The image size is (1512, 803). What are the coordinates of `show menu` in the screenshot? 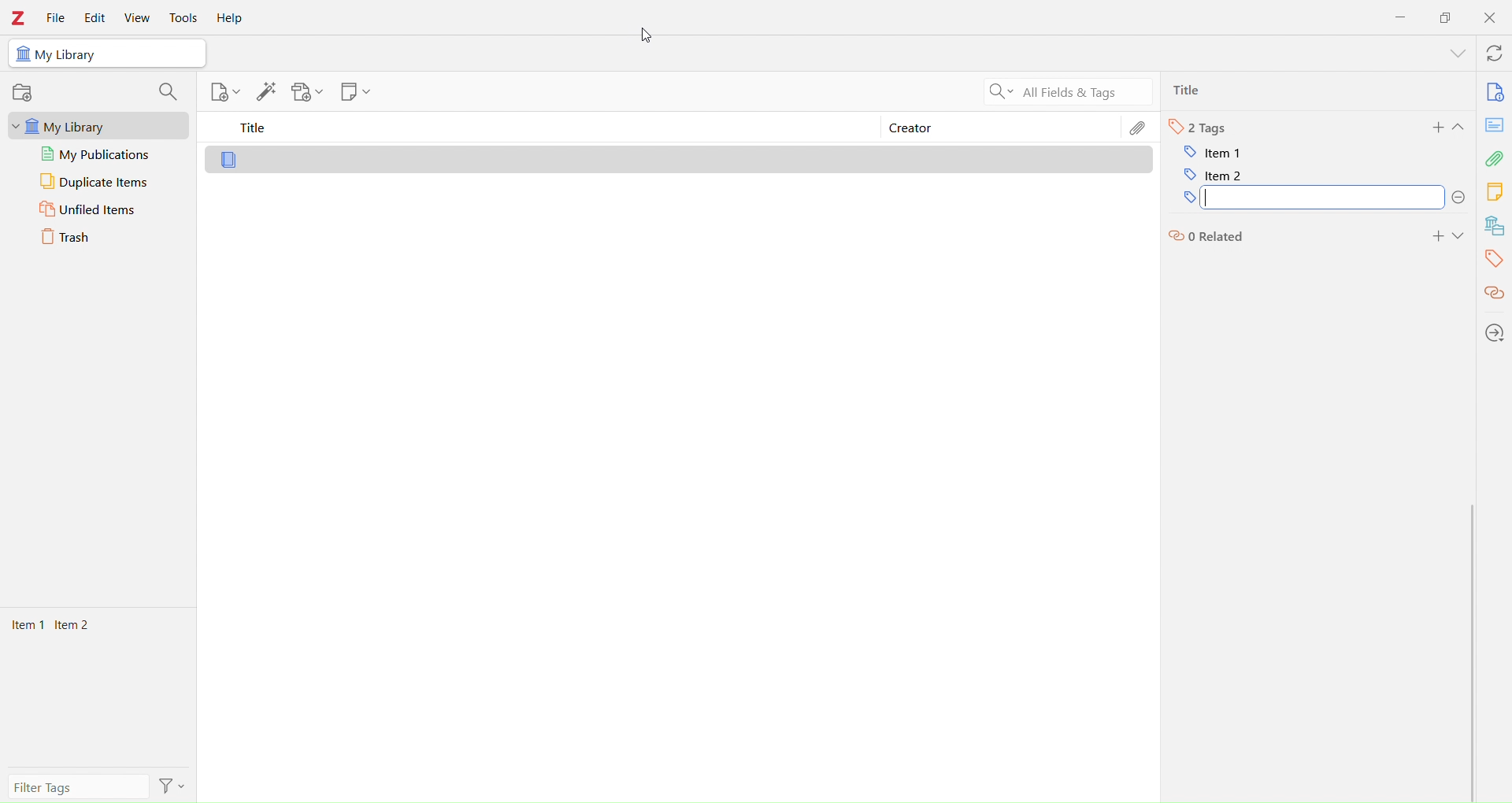 It's located at (1443, 58).